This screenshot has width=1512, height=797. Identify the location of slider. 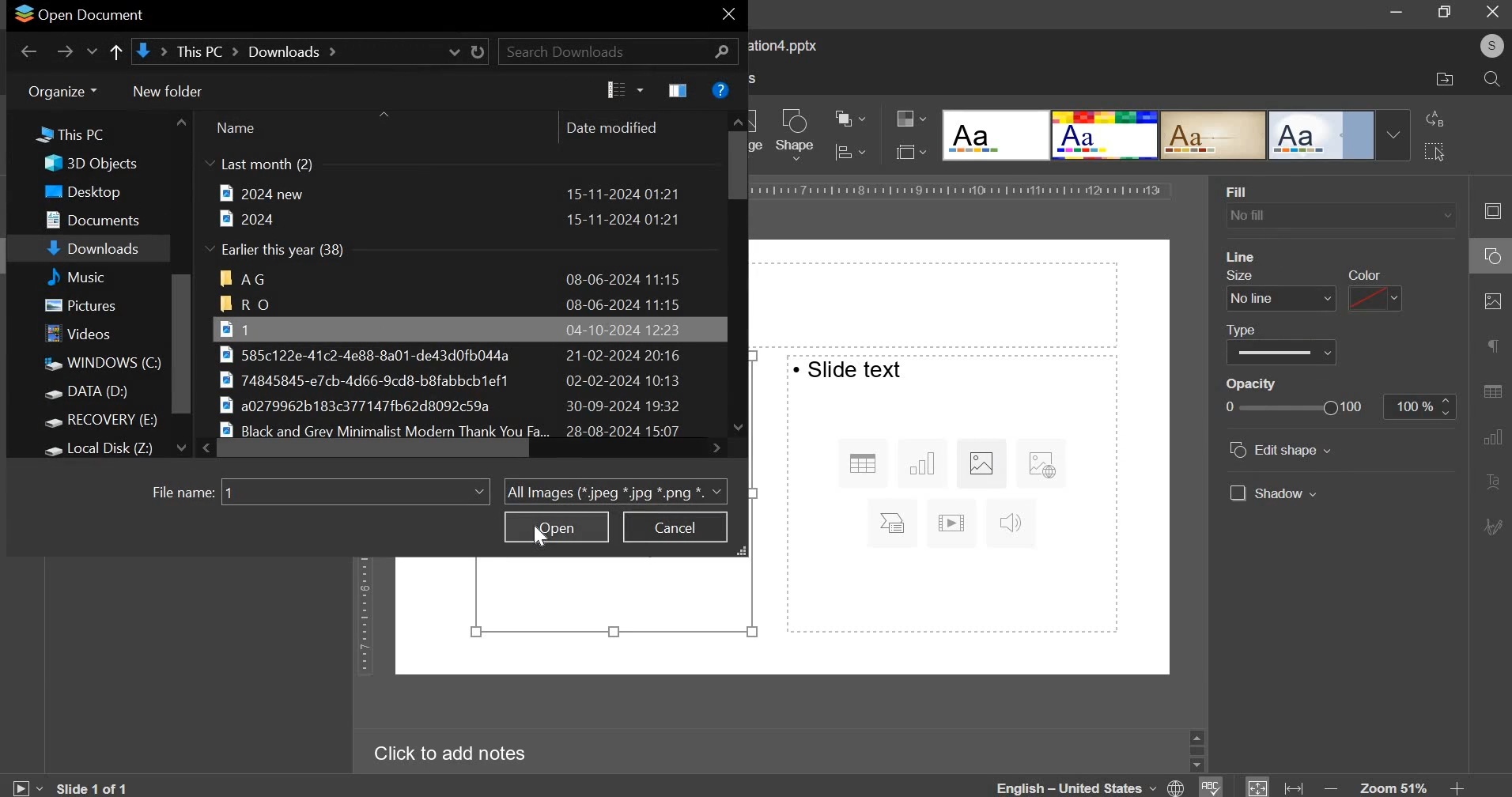
(1196, 750).